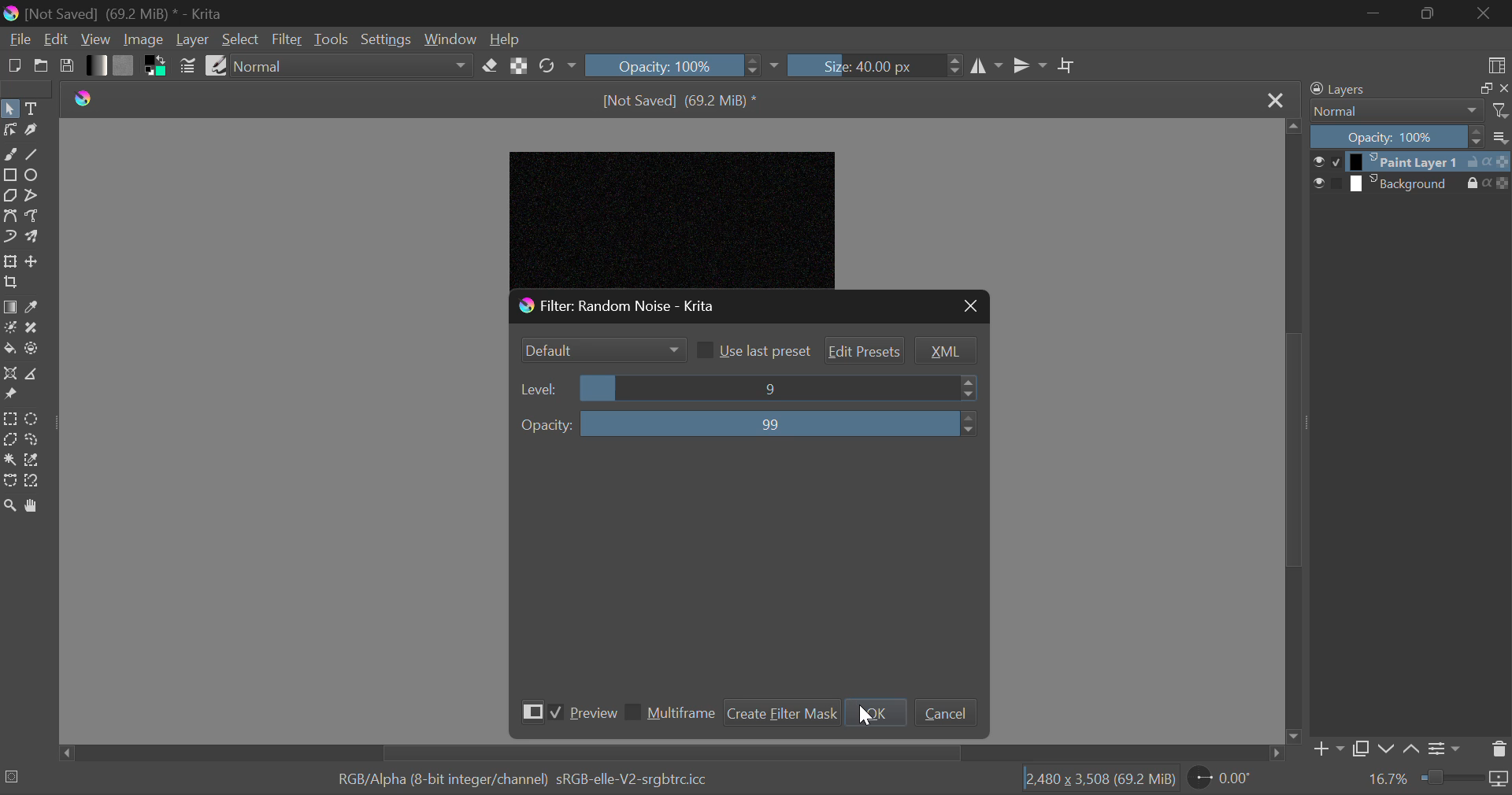  What do you see at coordinates (9, 173) in the screenshot?
I see `Rectangle` at bounding box center [9, 173].